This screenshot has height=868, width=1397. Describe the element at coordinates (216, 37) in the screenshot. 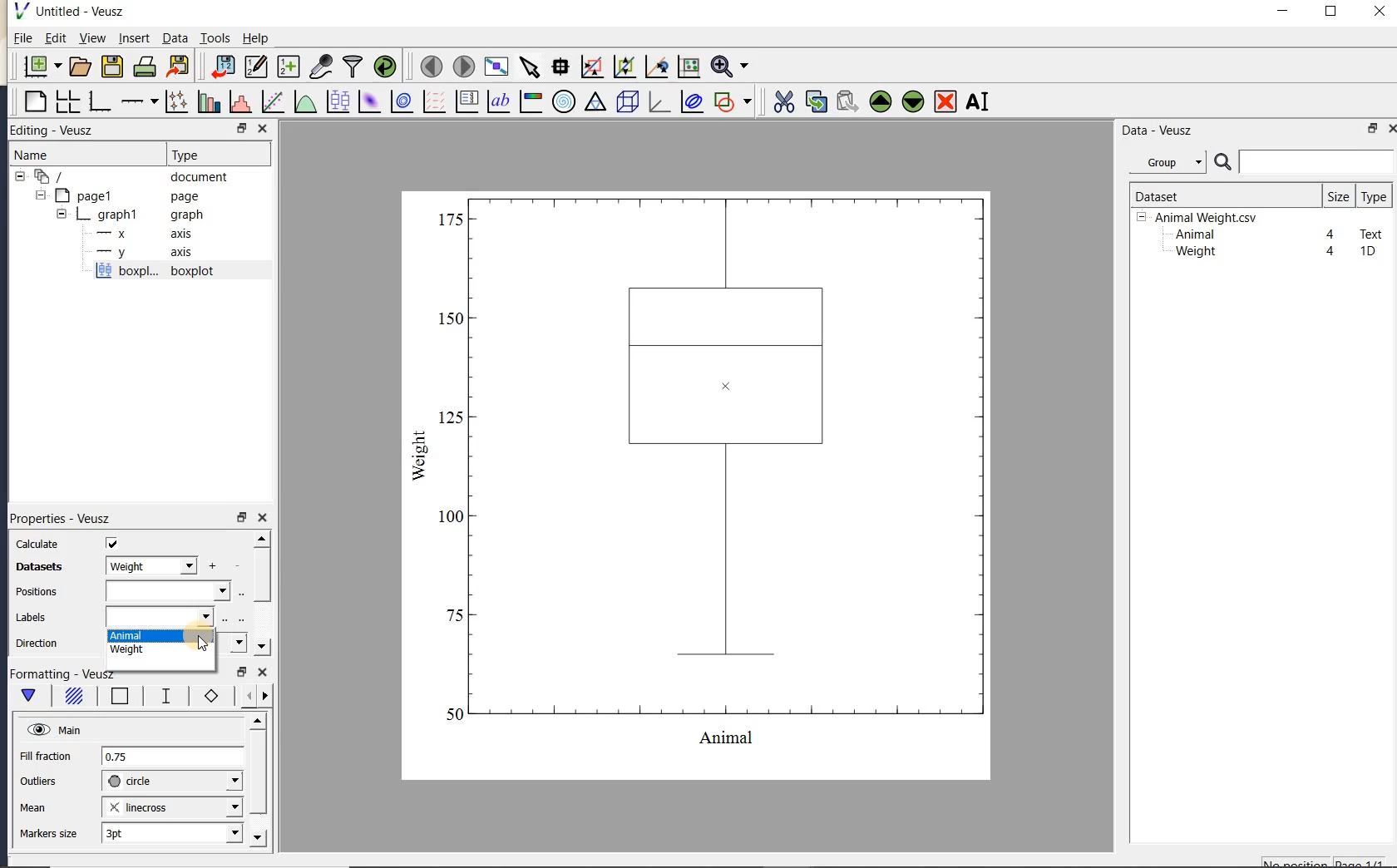

I see `Tools` at that location.